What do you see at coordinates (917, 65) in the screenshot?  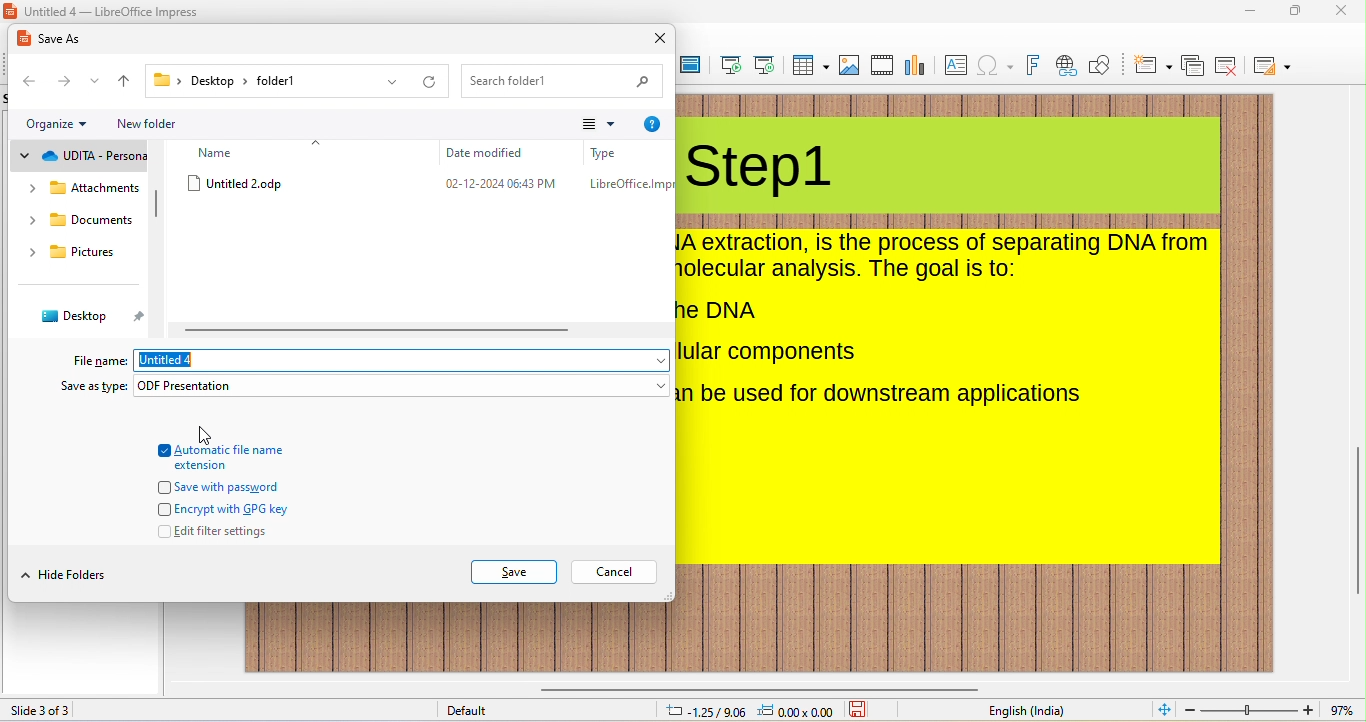 I see `chart` at bounding box center [917, 65].